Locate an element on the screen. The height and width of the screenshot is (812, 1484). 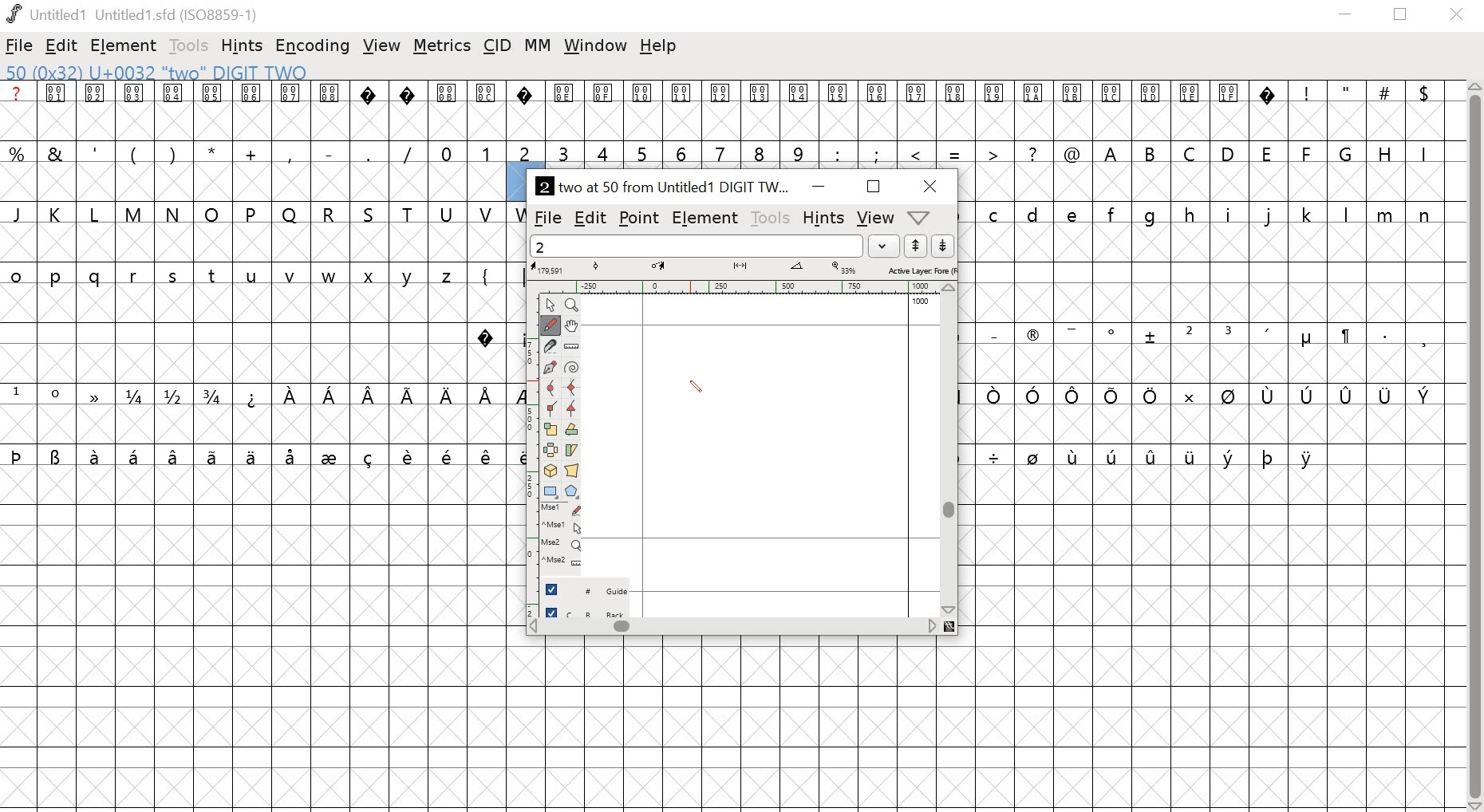
hints is located at coordinates (823, 217).